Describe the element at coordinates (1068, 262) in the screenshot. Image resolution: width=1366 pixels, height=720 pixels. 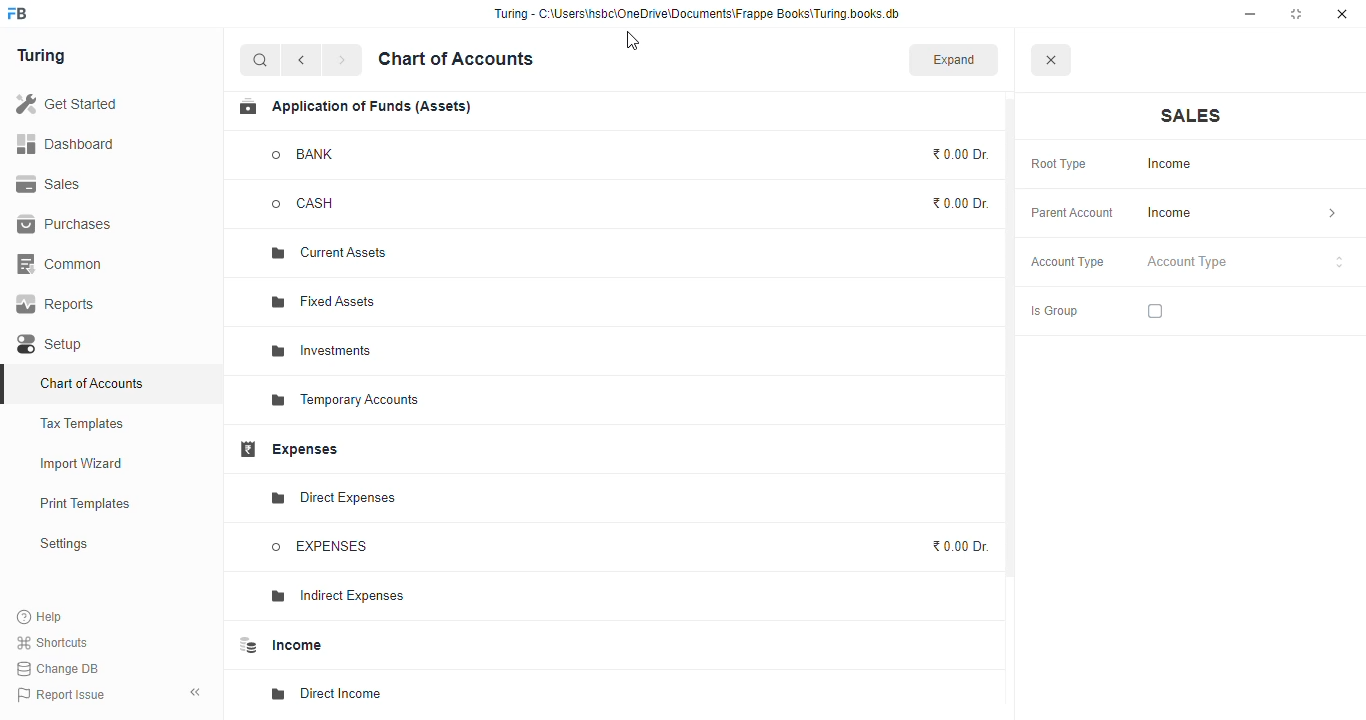
I see `account type` at that location.